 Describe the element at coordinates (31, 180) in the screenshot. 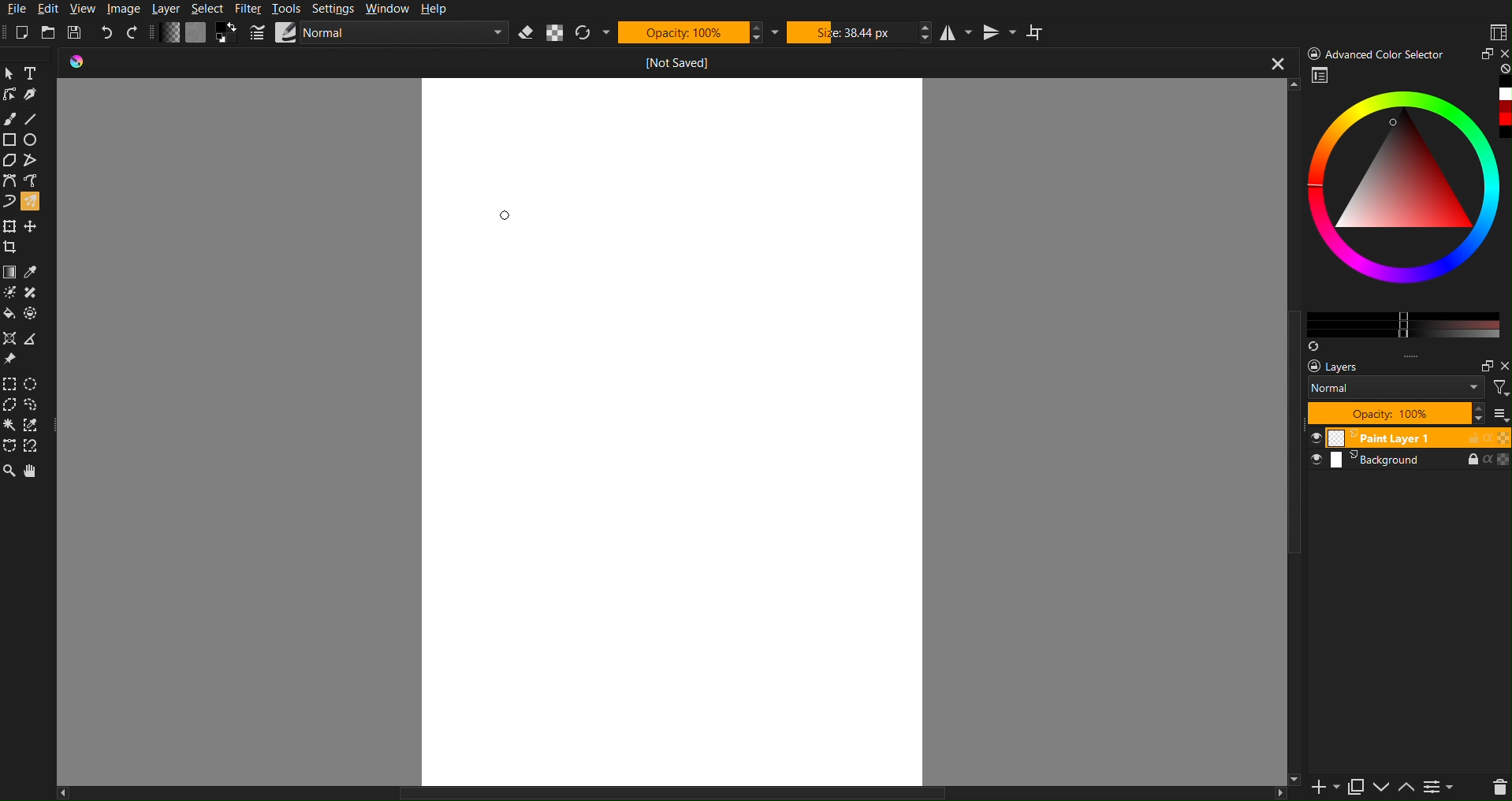

I see `Free hand path tool` at that location.